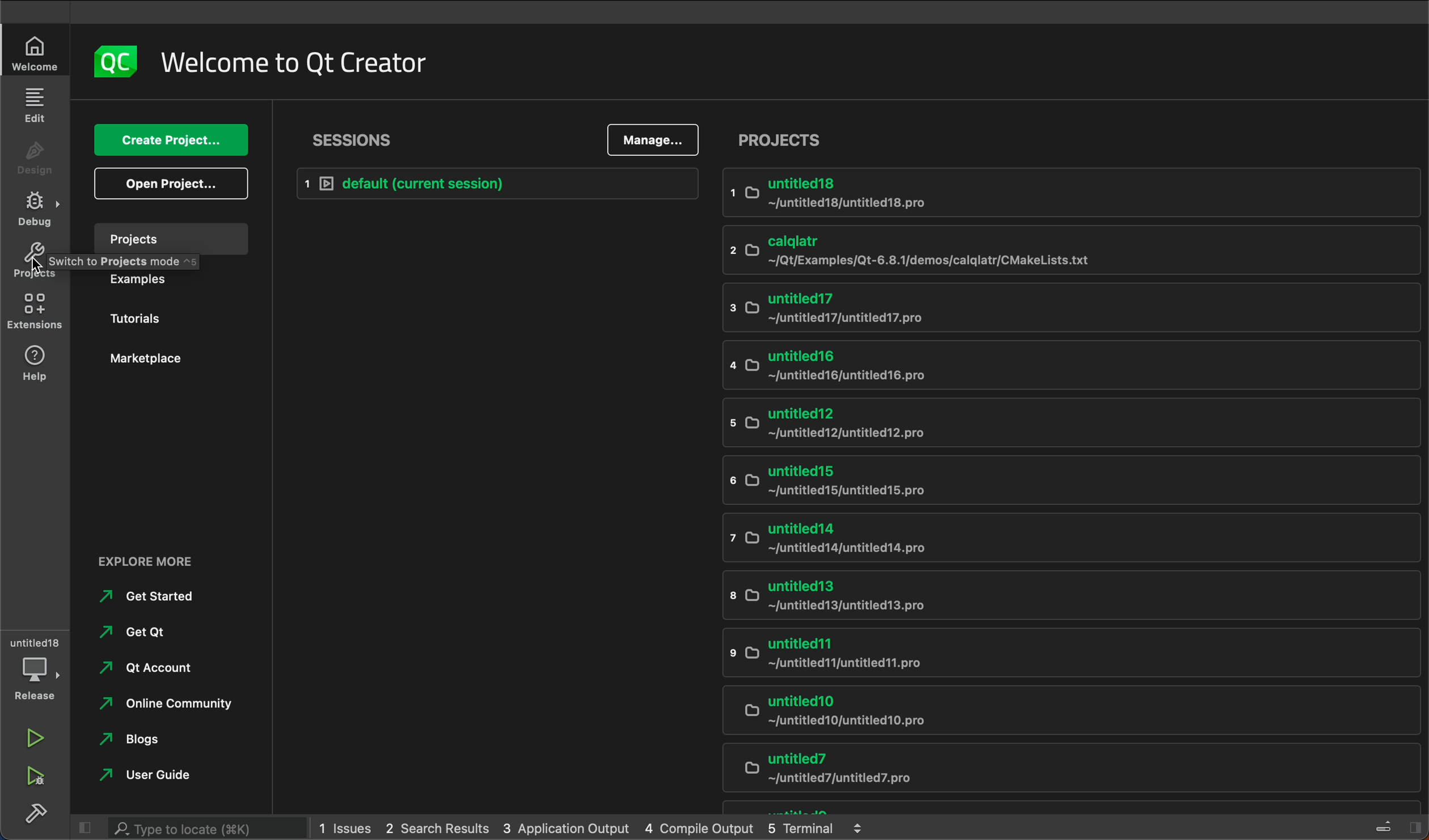 The width and height of the screenshot is (1429, 840). I want to click on untitled 18, so click(1074, 194).